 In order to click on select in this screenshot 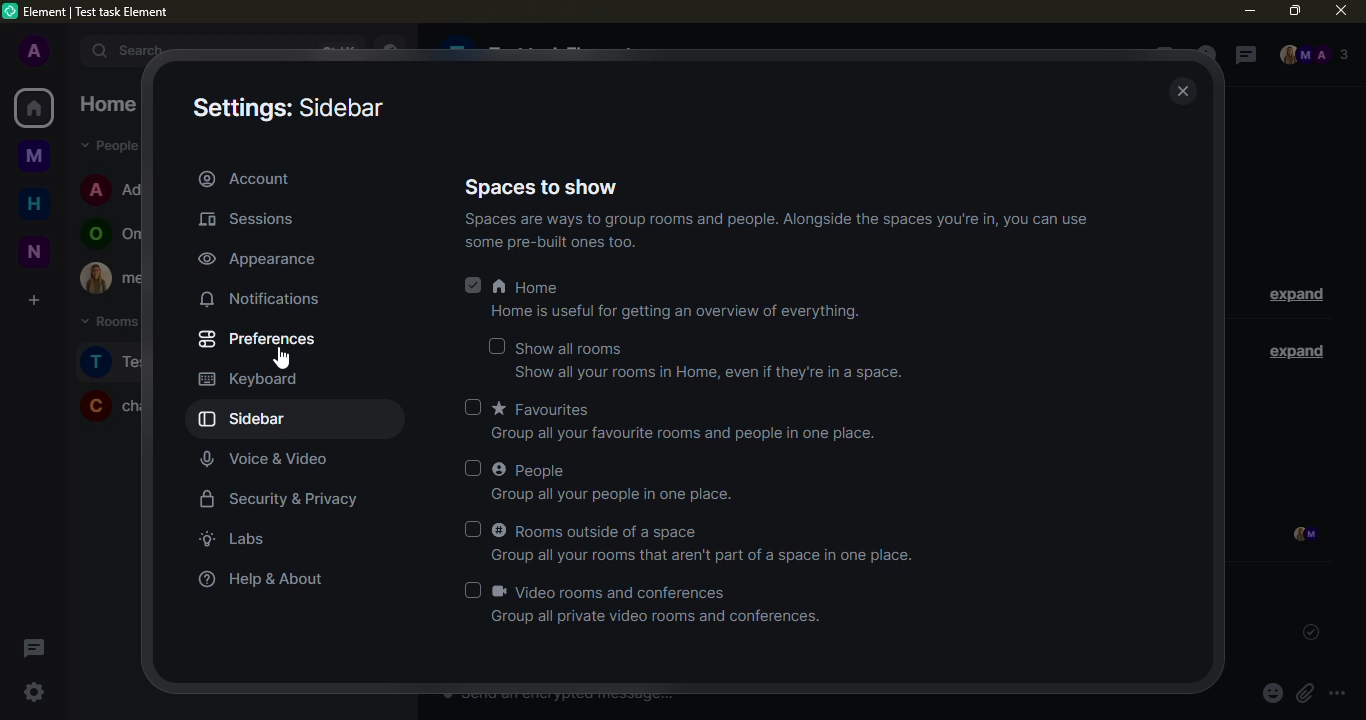, I will do `click(473, 407)`.